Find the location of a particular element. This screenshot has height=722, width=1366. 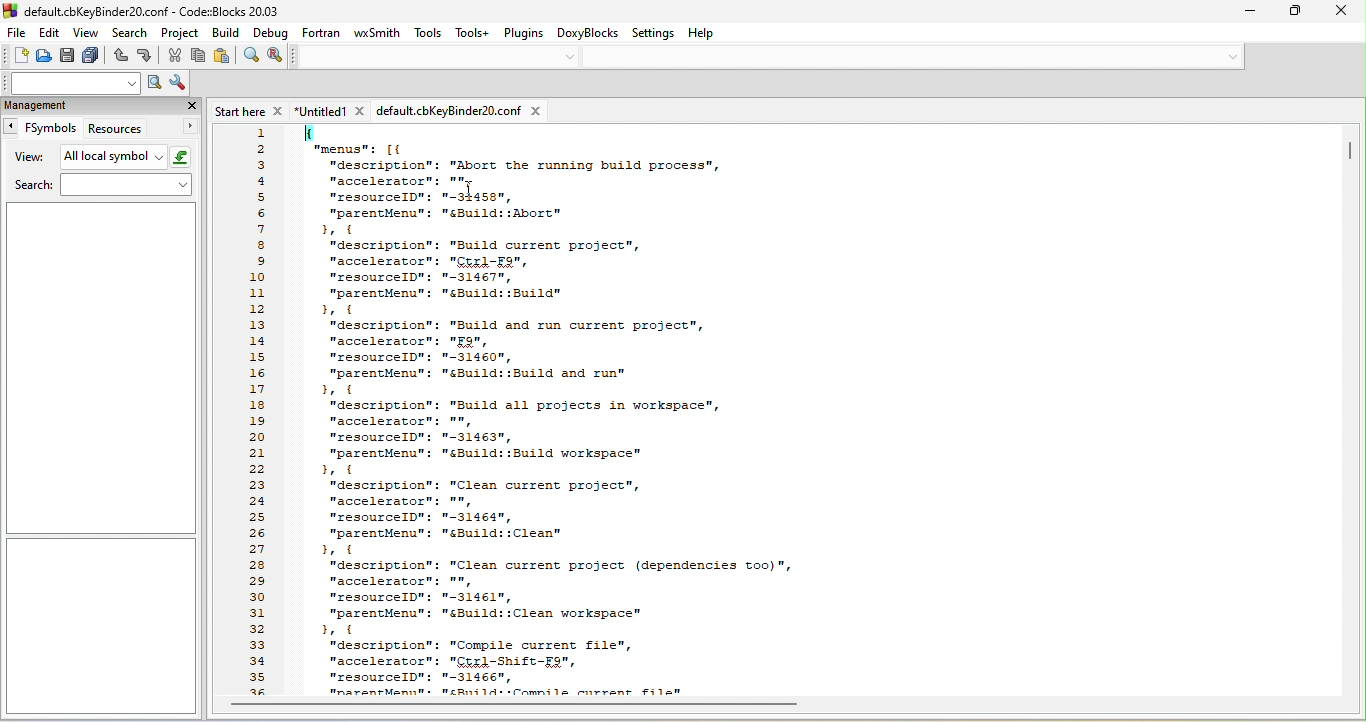

search text is located at coordinates (70, 82).